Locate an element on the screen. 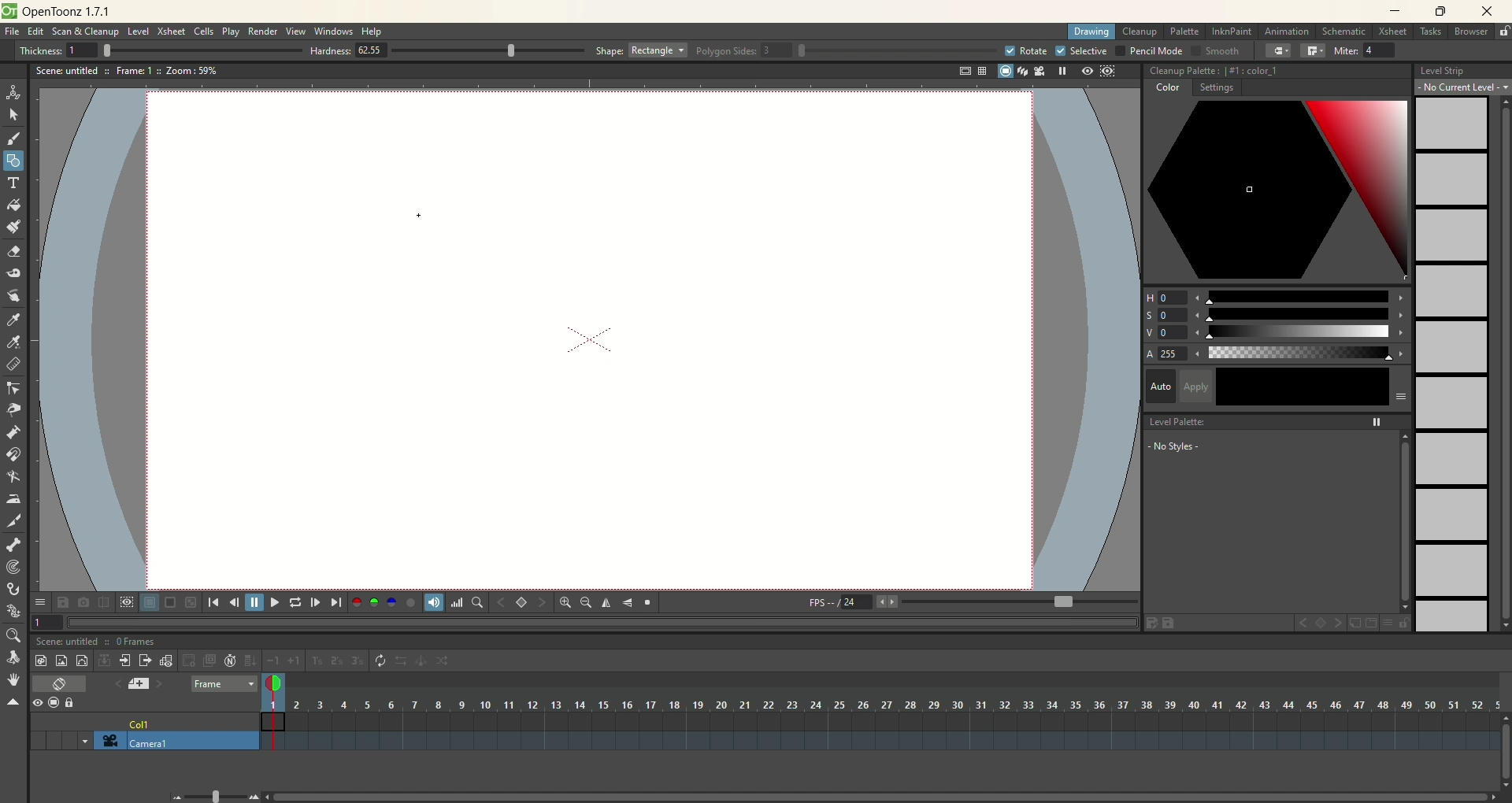  compare to snapchat is located at coordinates (102, 603).